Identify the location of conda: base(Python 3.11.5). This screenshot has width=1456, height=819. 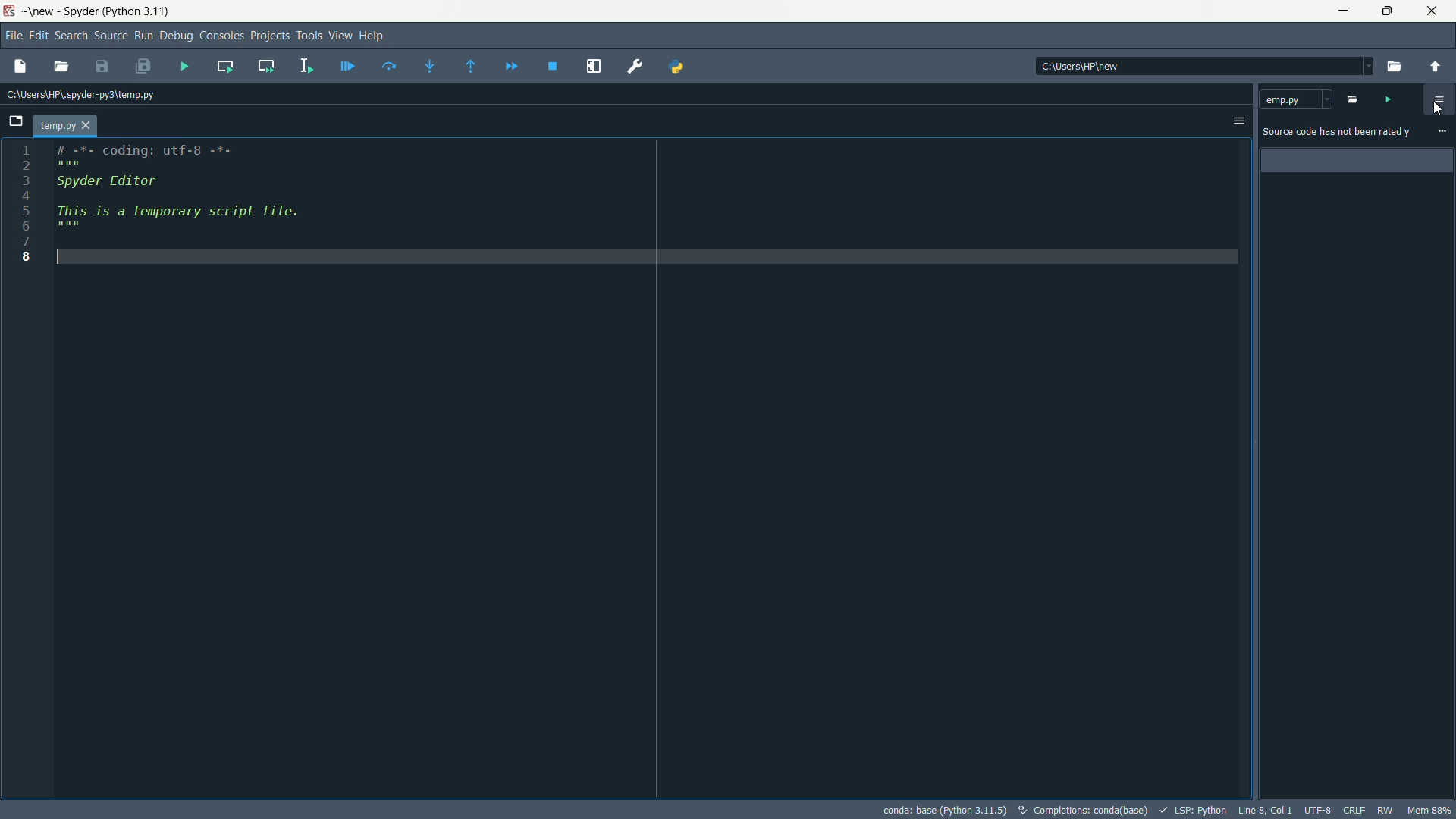
(944, 808).